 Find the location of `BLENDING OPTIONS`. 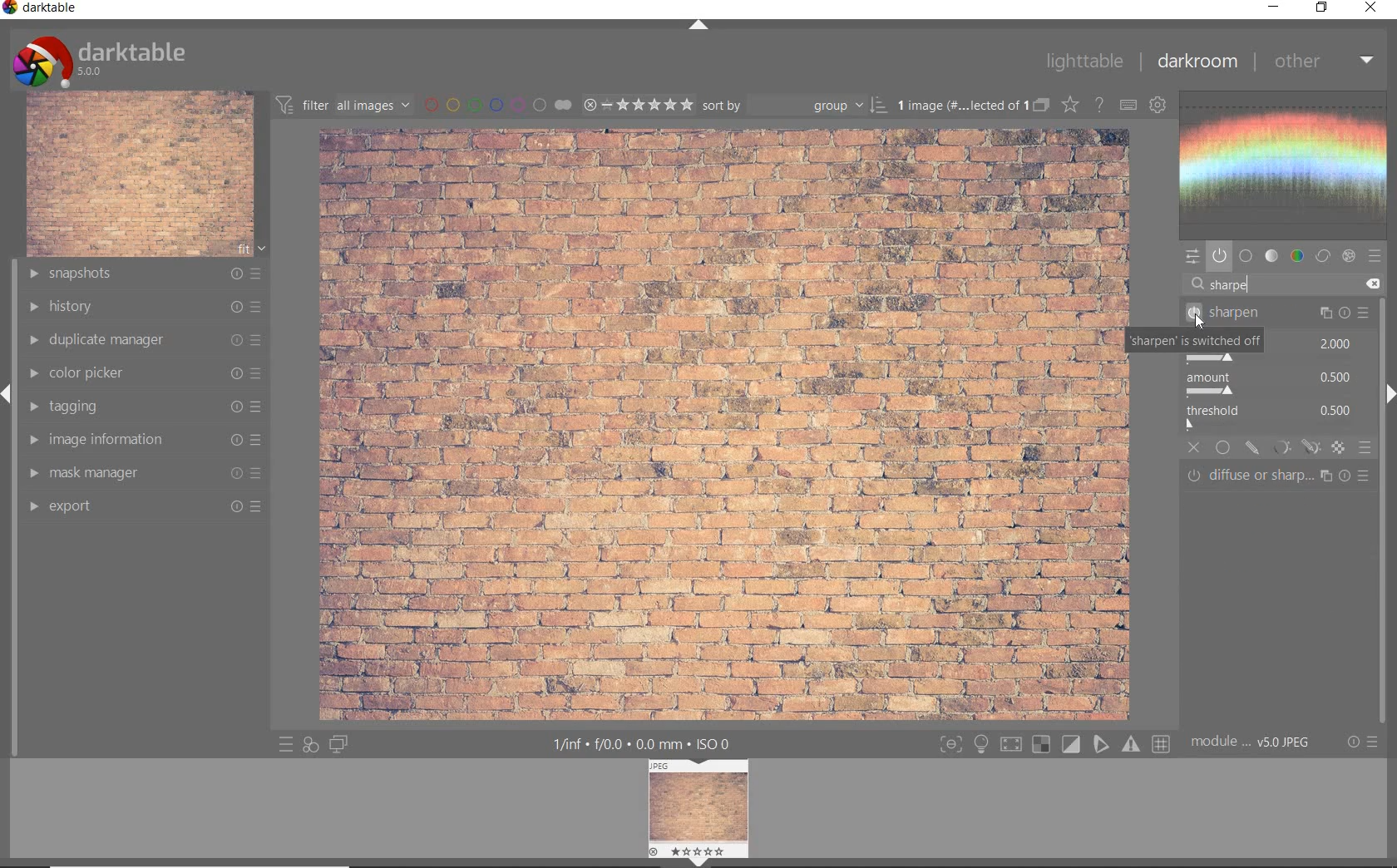

BLENDING OPTIONS is located at coordinates (1365, 449).